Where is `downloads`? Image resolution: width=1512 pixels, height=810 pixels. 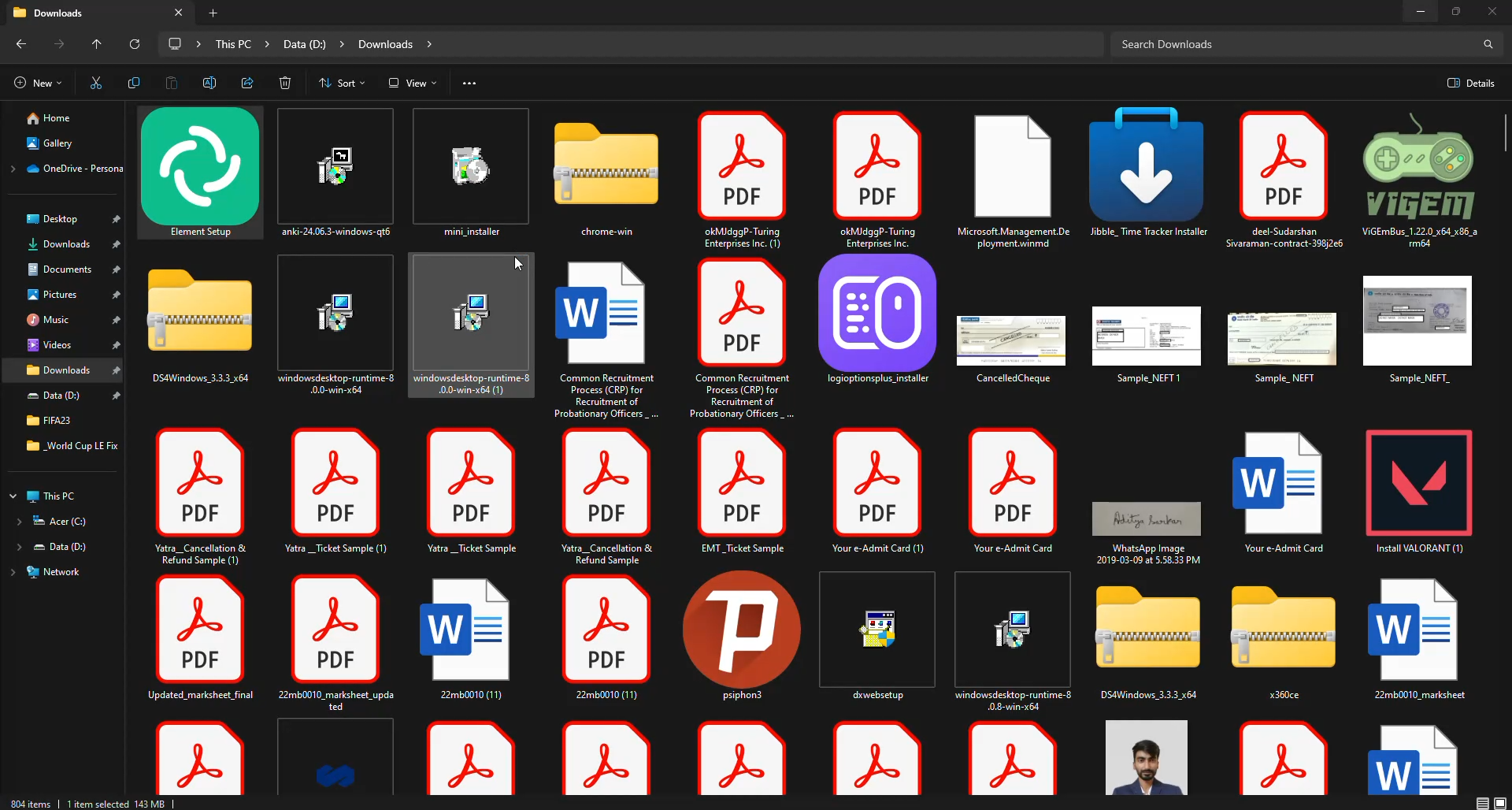
downloads is located at coordinates (53, 13).